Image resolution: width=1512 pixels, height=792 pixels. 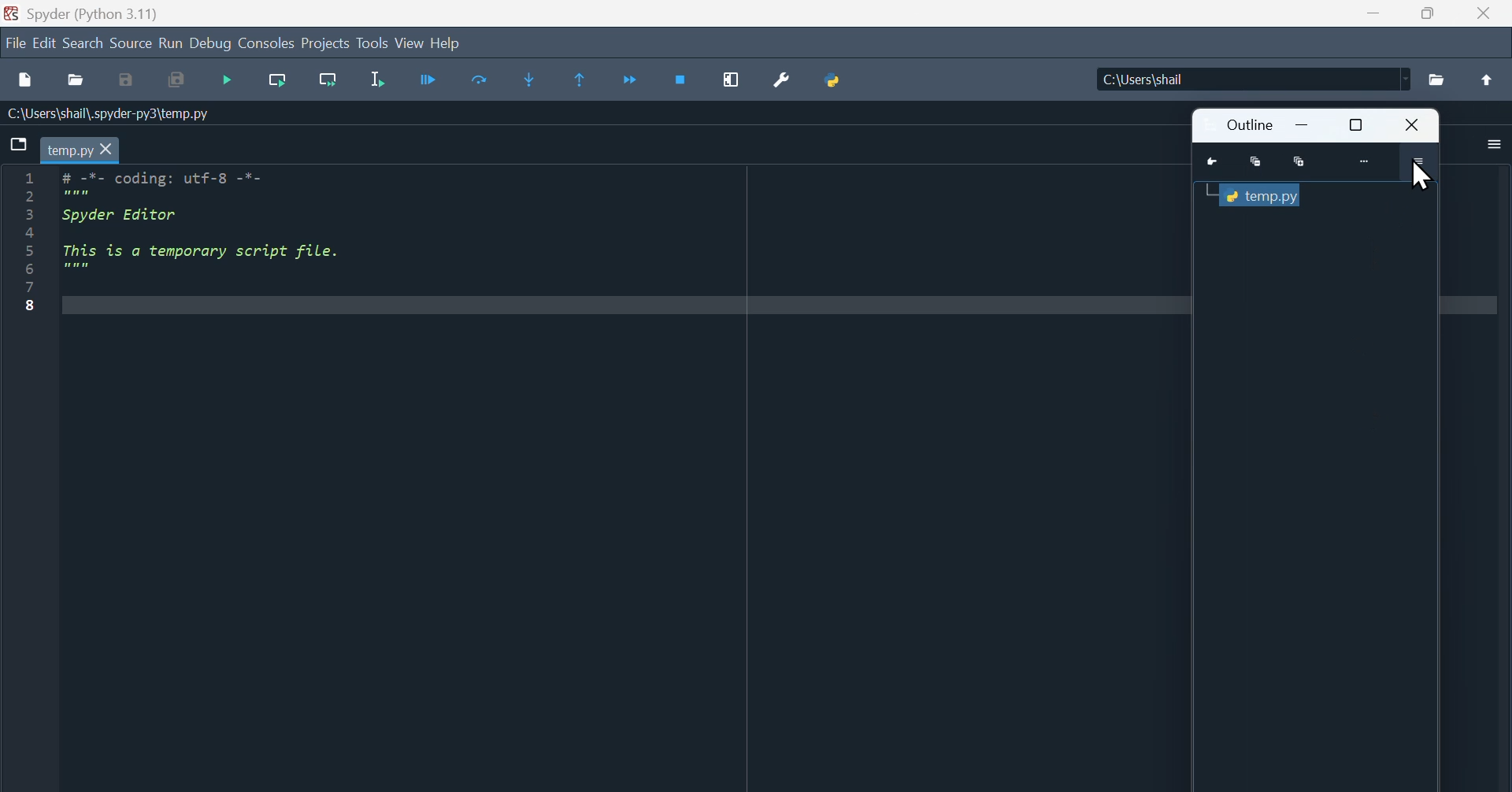 What do you see at coordinates (1212, 162) in the screenshot?
I see `Go to` at bounding box center [1212, 162].